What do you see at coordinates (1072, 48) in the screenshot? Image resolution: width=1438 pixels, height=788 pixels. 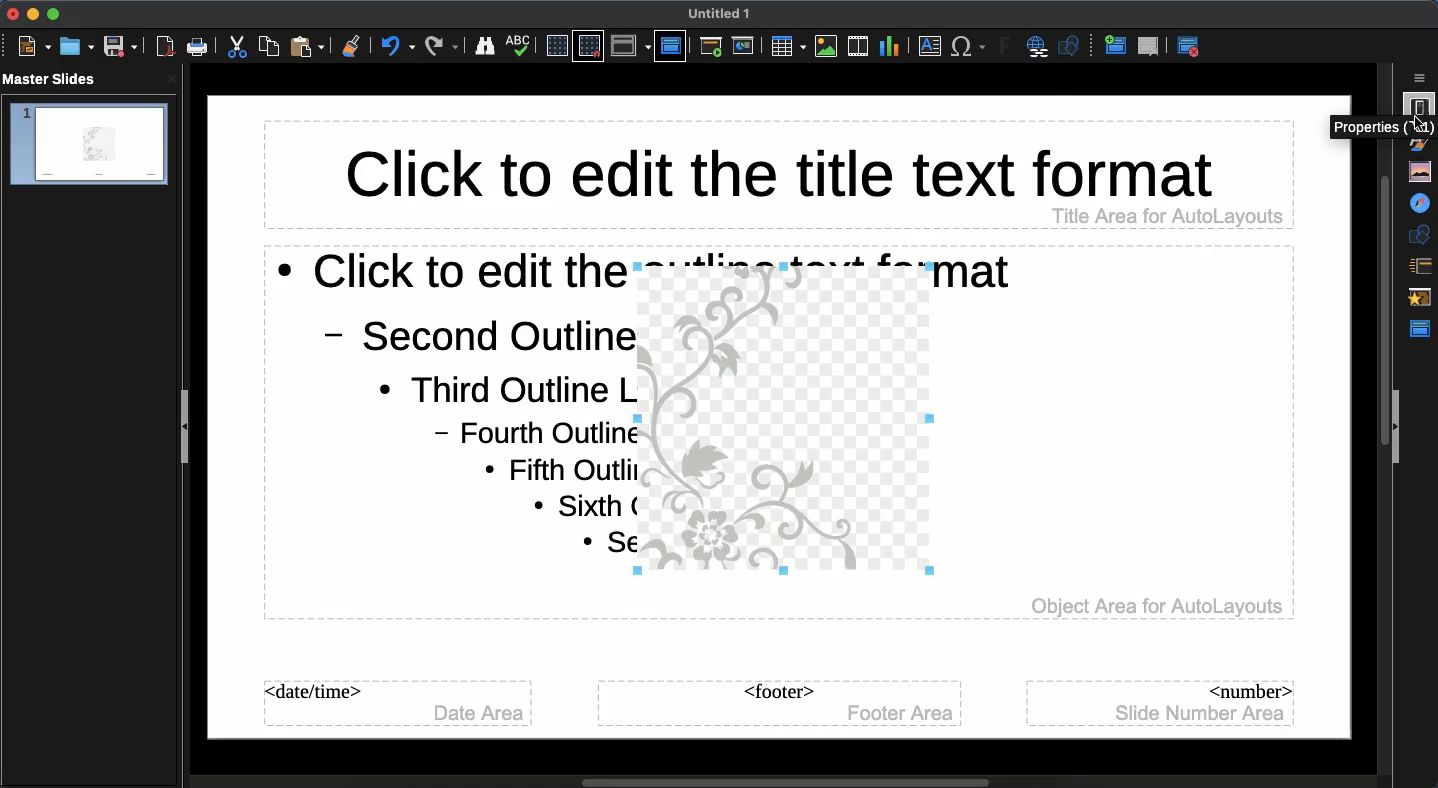 I see `Shapes` at bounding box center [1072, 48].